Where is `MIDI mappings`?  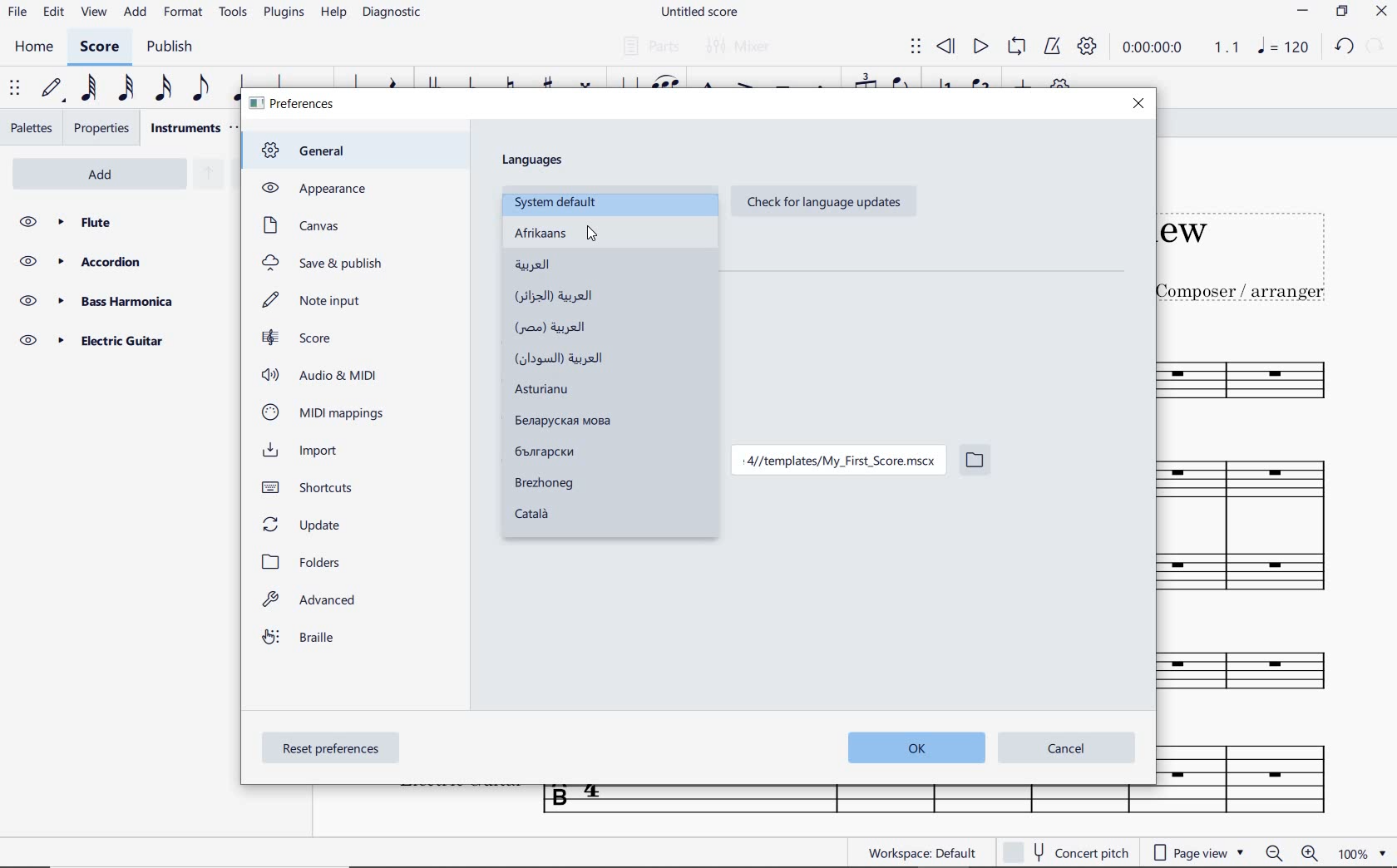
MIDI mappings is located at coordinates (323, 412).